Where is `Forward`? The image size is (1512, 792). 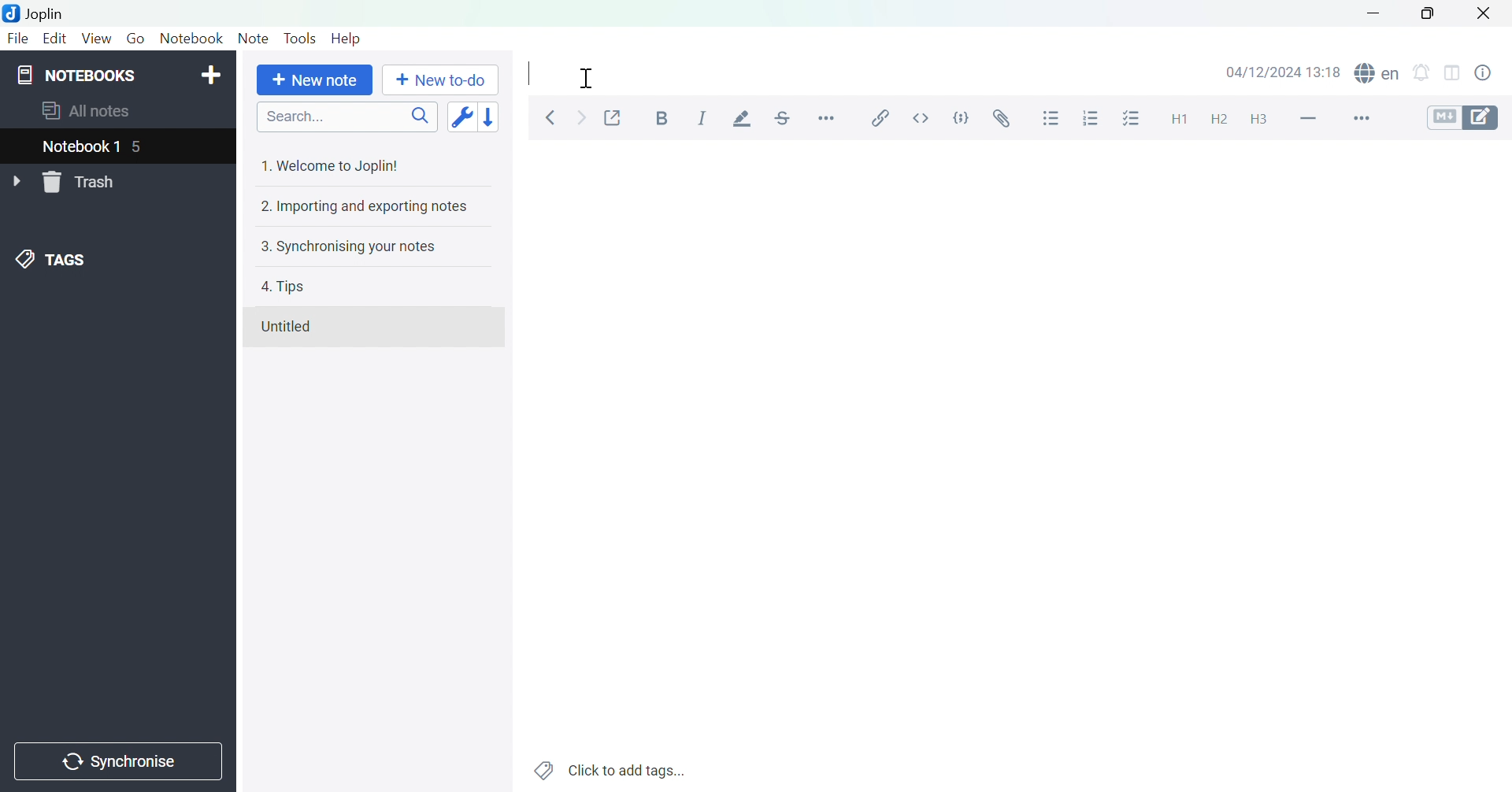
Forward is located at coordinates (580, 116).